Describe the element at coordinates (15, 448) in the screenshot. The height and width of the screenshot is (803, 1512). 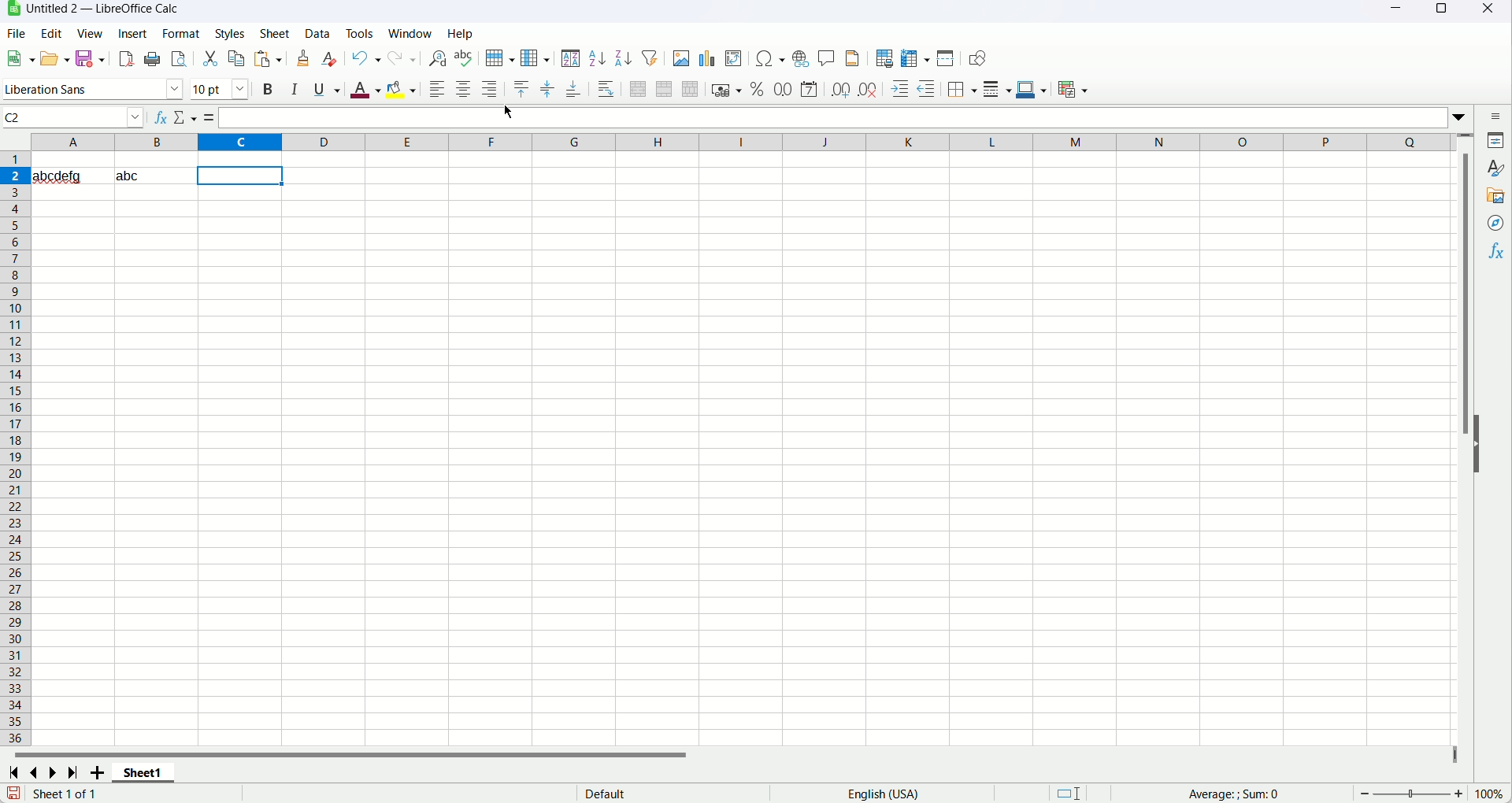
I see `rows` at that location.